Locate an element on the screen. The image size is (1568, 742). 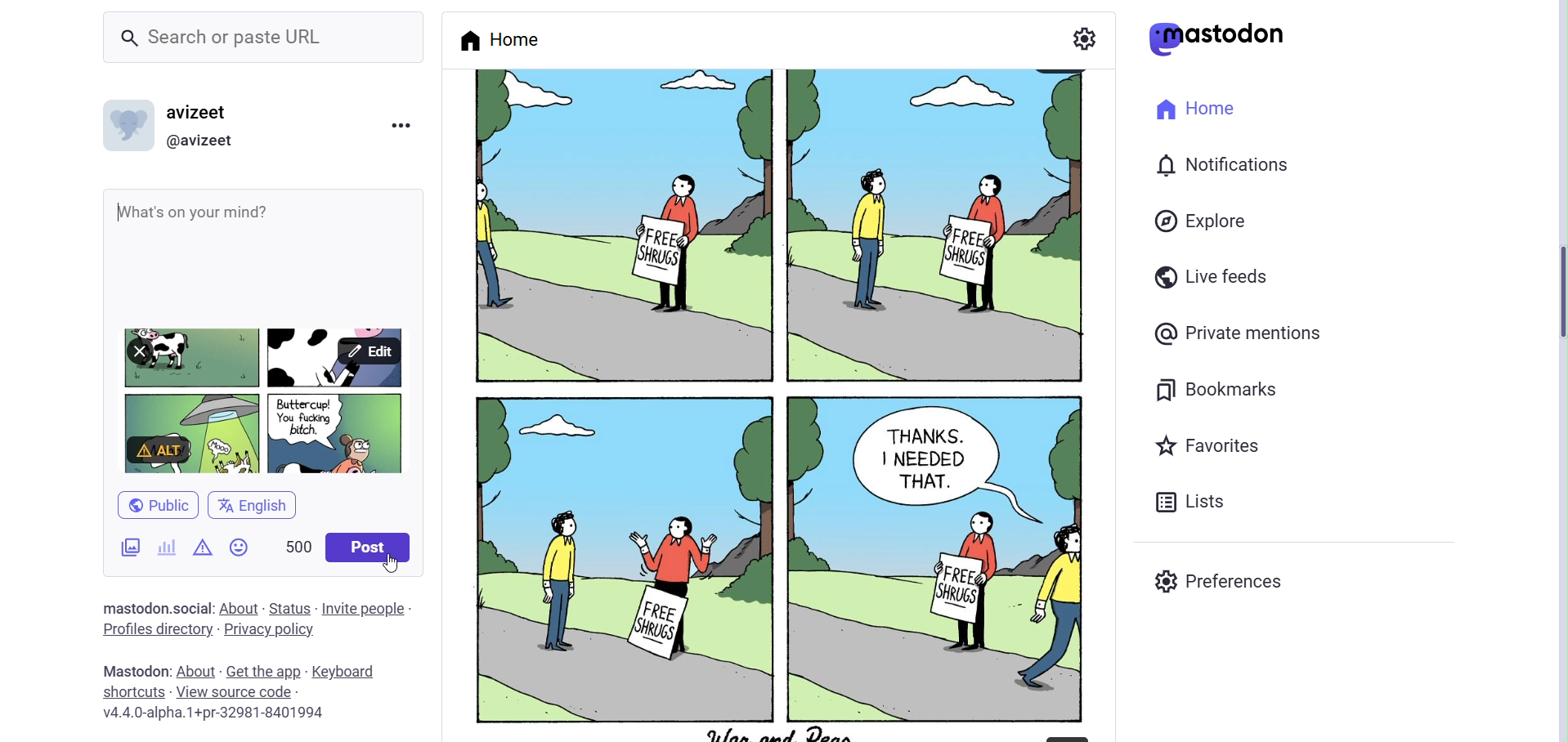
Search Bar is located at coordinates (263, 40).